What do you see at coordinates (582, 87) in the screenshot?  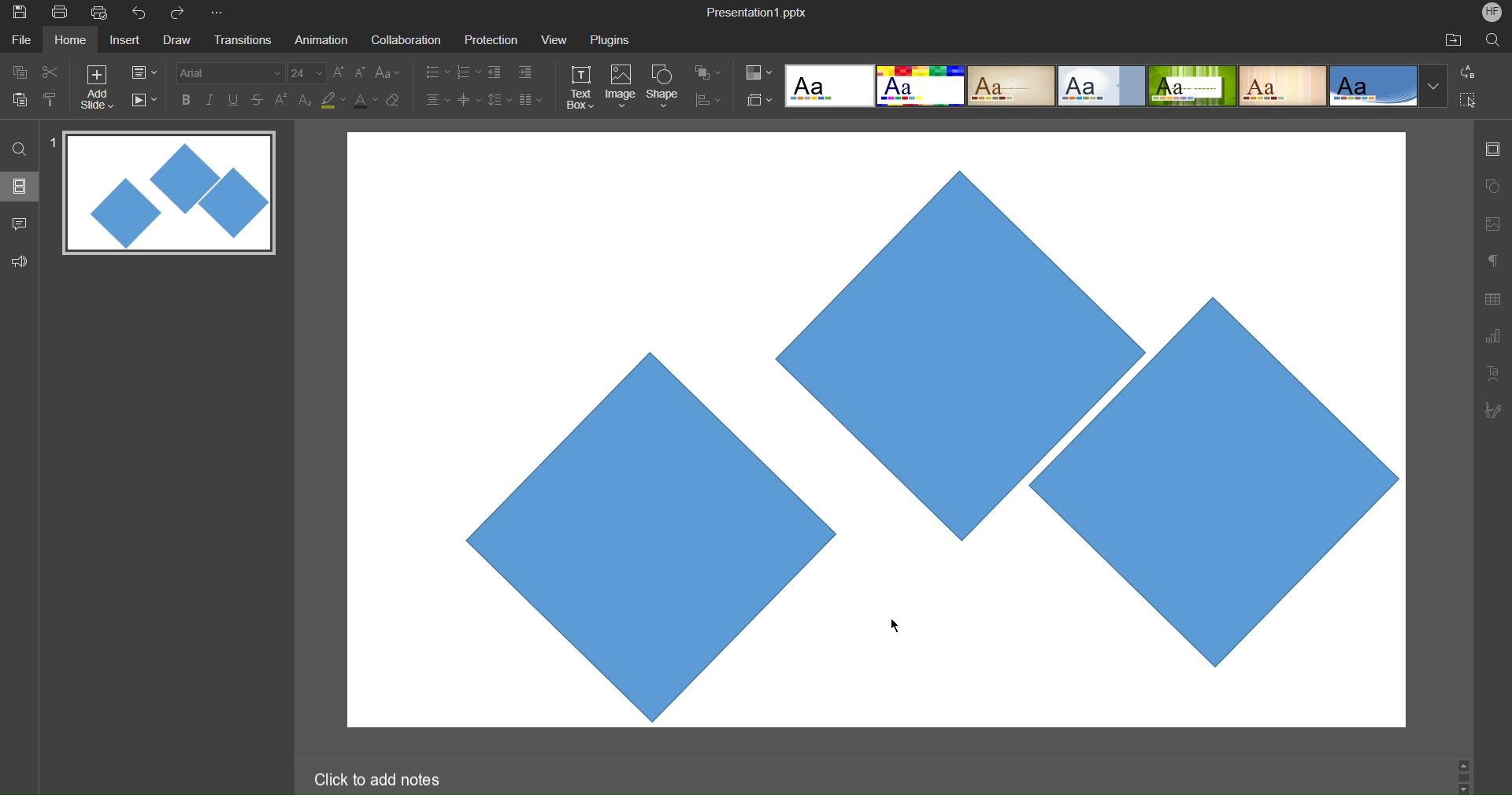 I see `Text Box` at bounding box center [582, 87].